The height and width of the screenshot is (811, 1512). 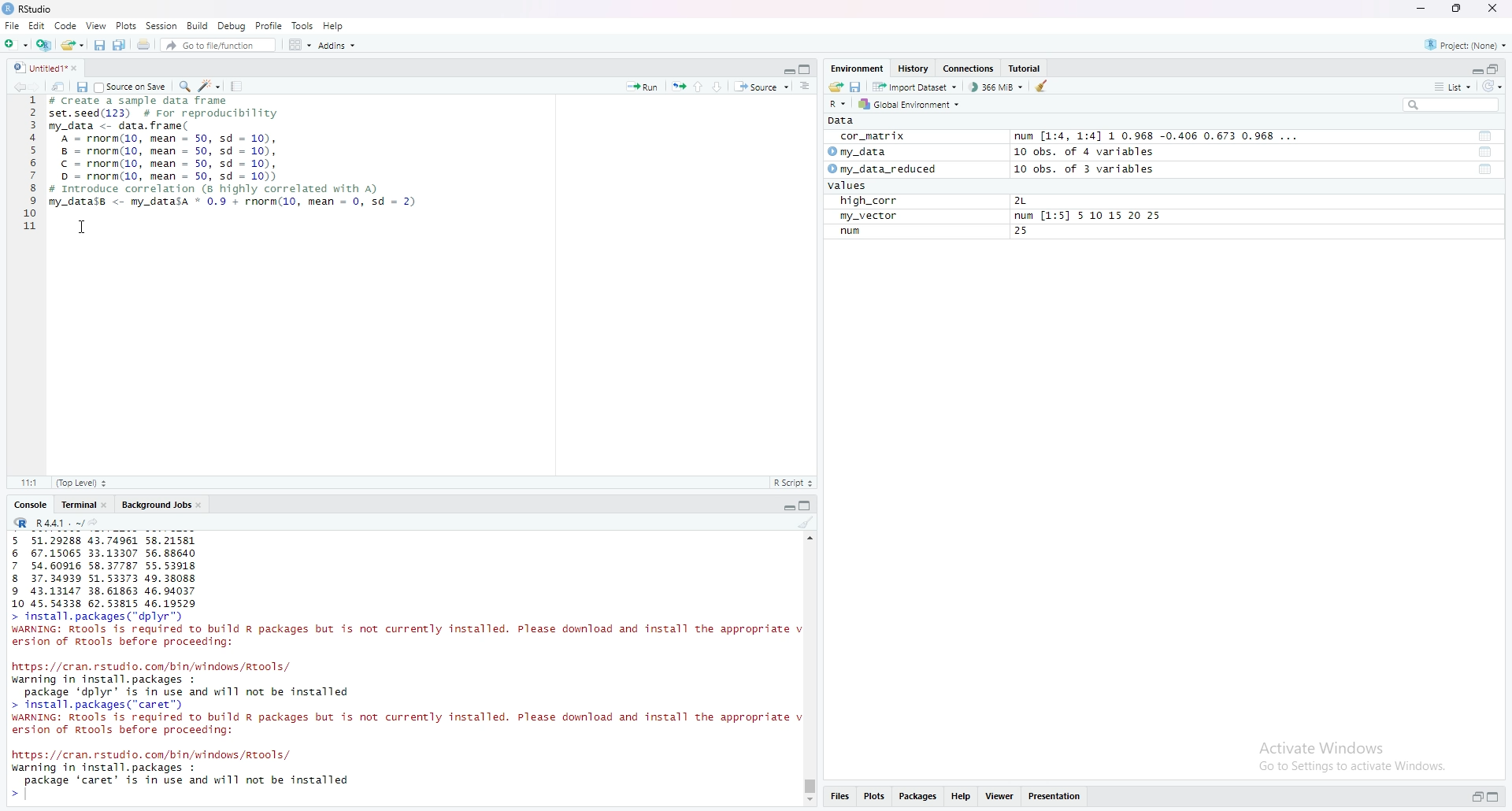 I want to click on Profile, so click(x=269, y=25).